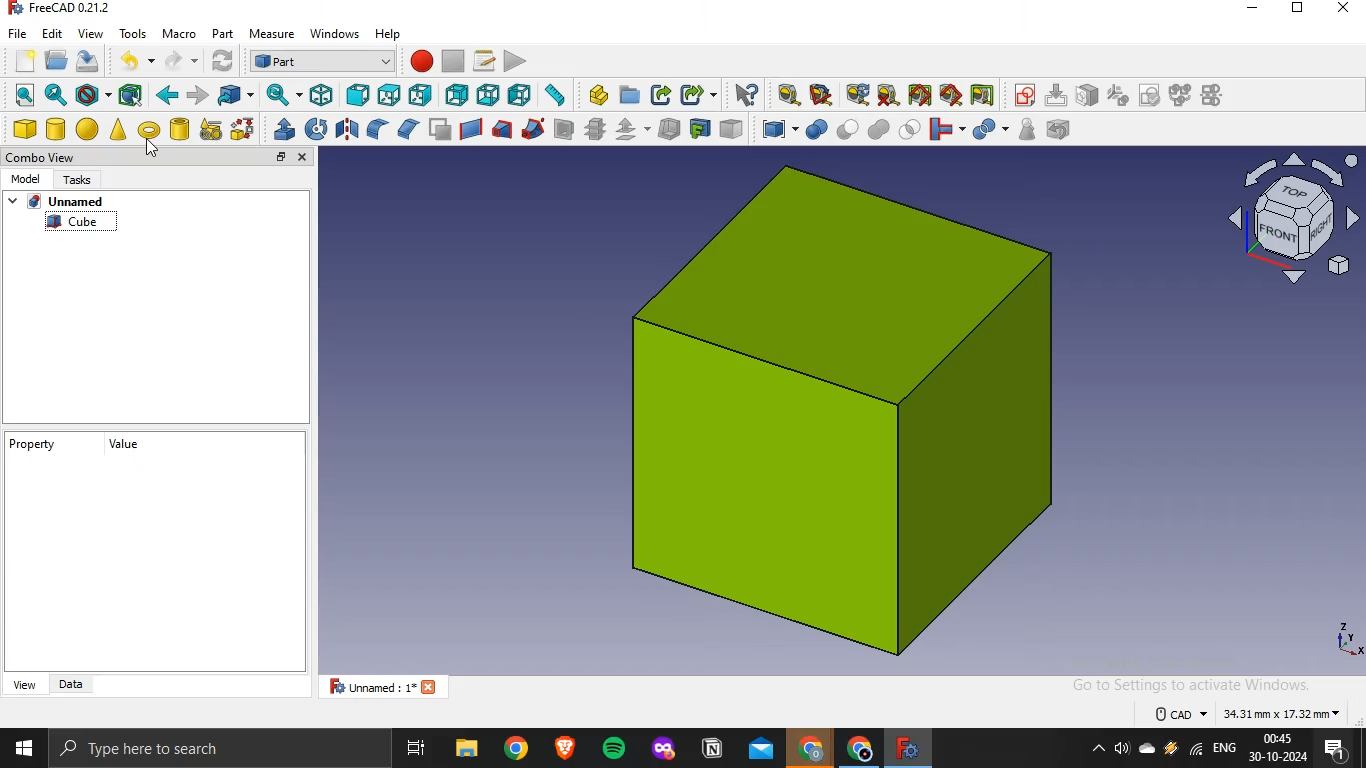 This screenshot has height=768, width=1366. I want to click on help, so click(389, 33).